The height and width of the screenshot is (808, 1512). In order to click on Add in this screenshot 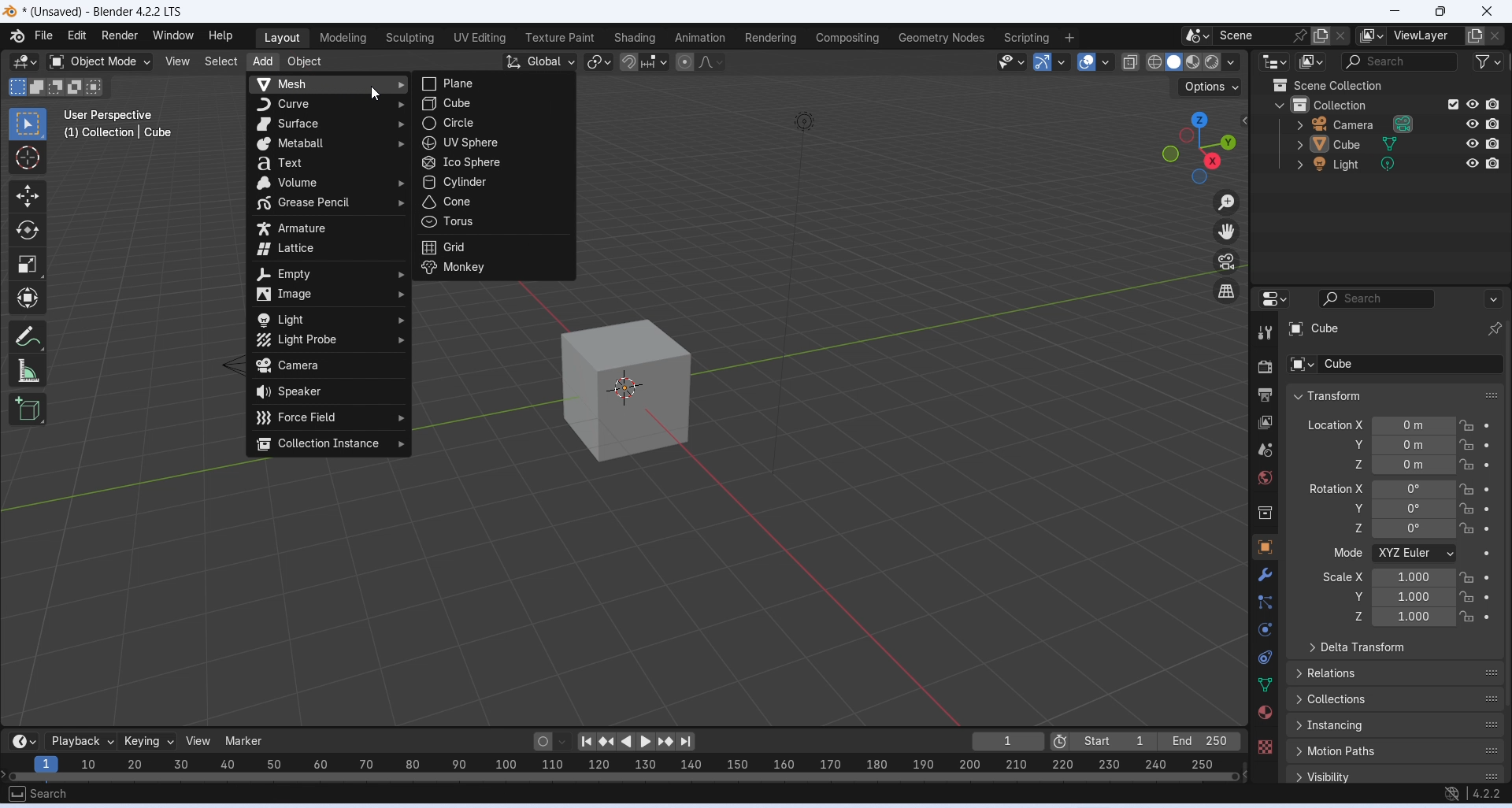, I will do `click(261, 63)`.